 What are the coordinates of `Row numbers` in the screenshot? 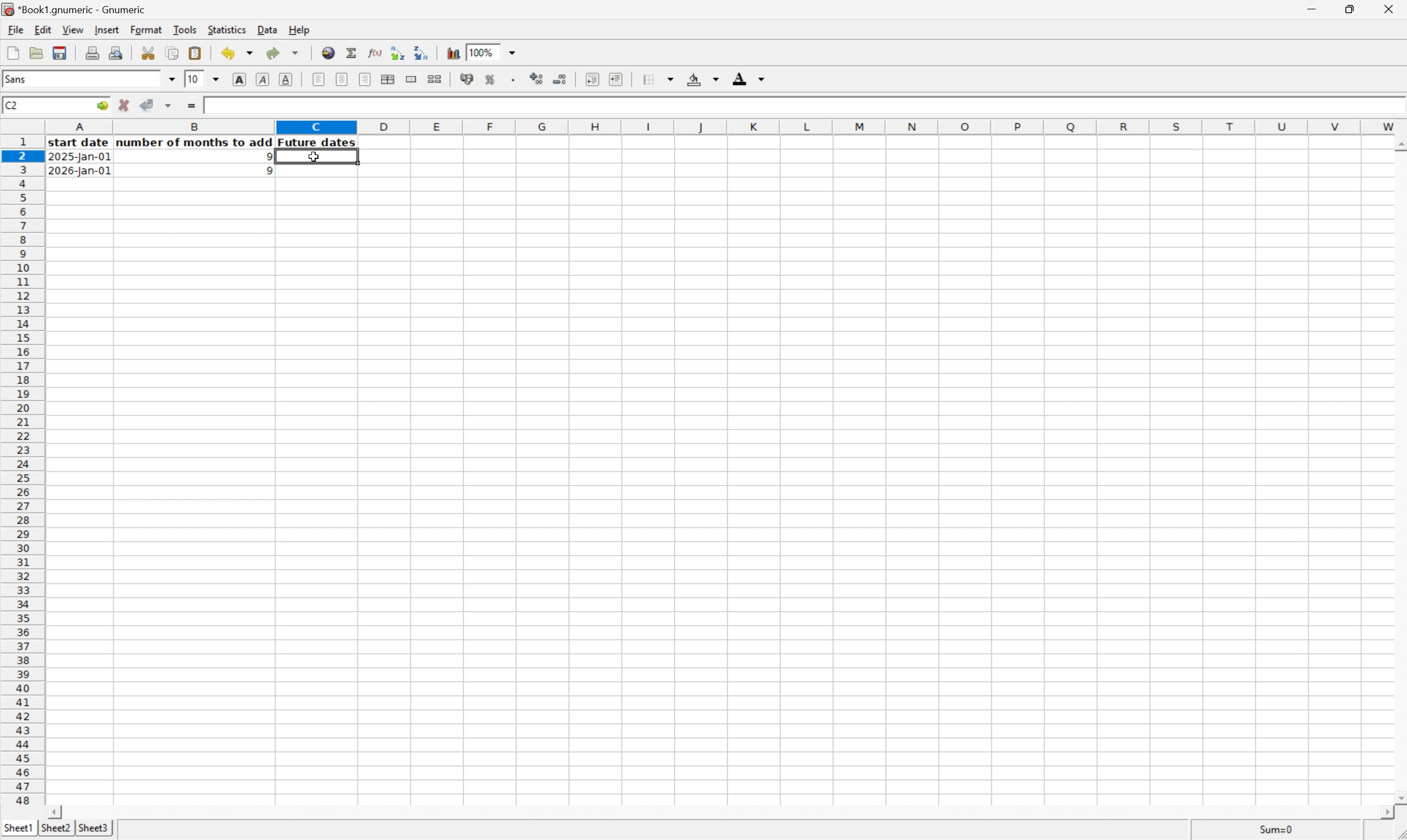 It's located at (22, 471).